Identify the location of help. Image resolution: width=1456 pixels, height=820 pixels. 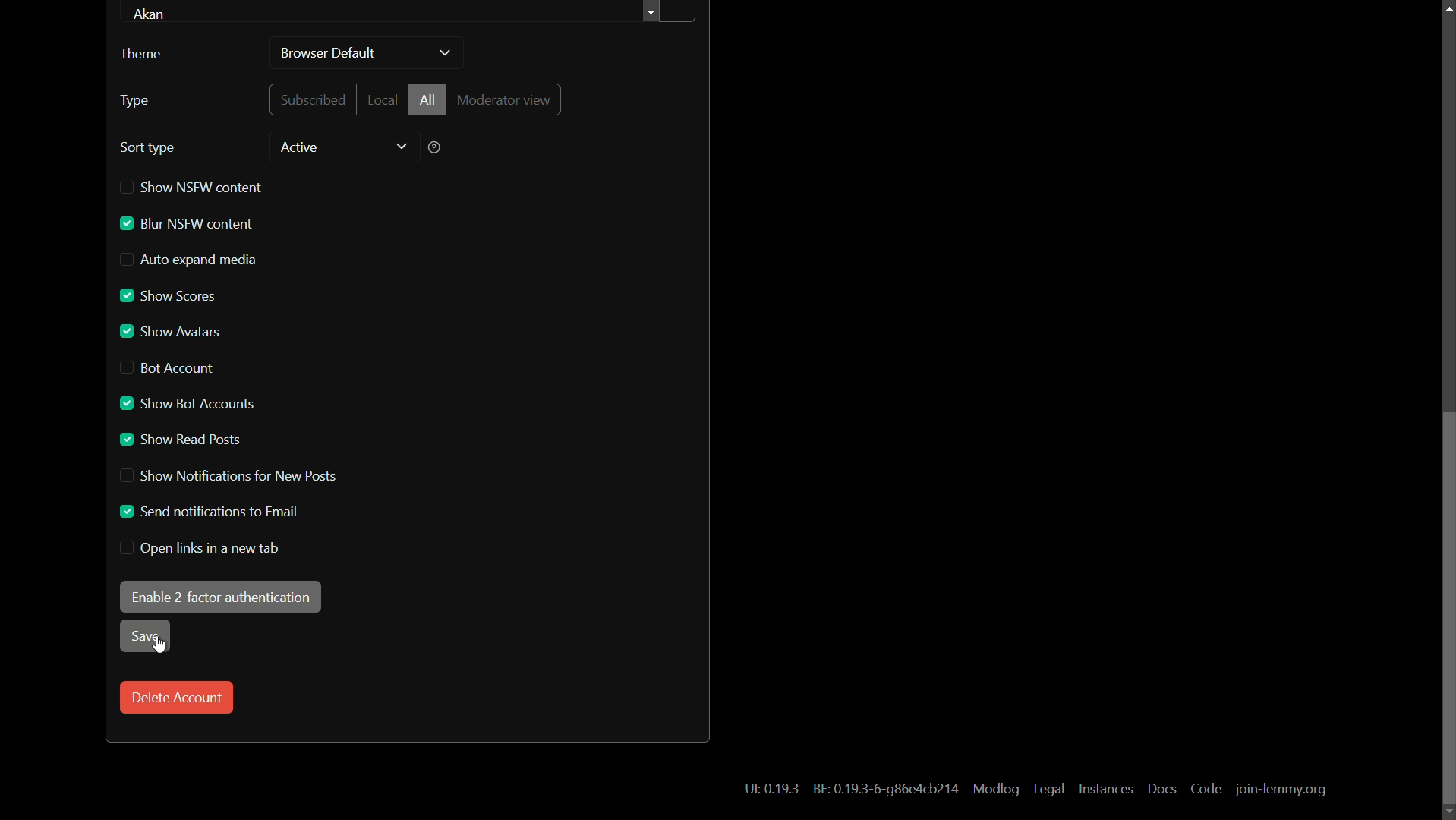
(433, 149).